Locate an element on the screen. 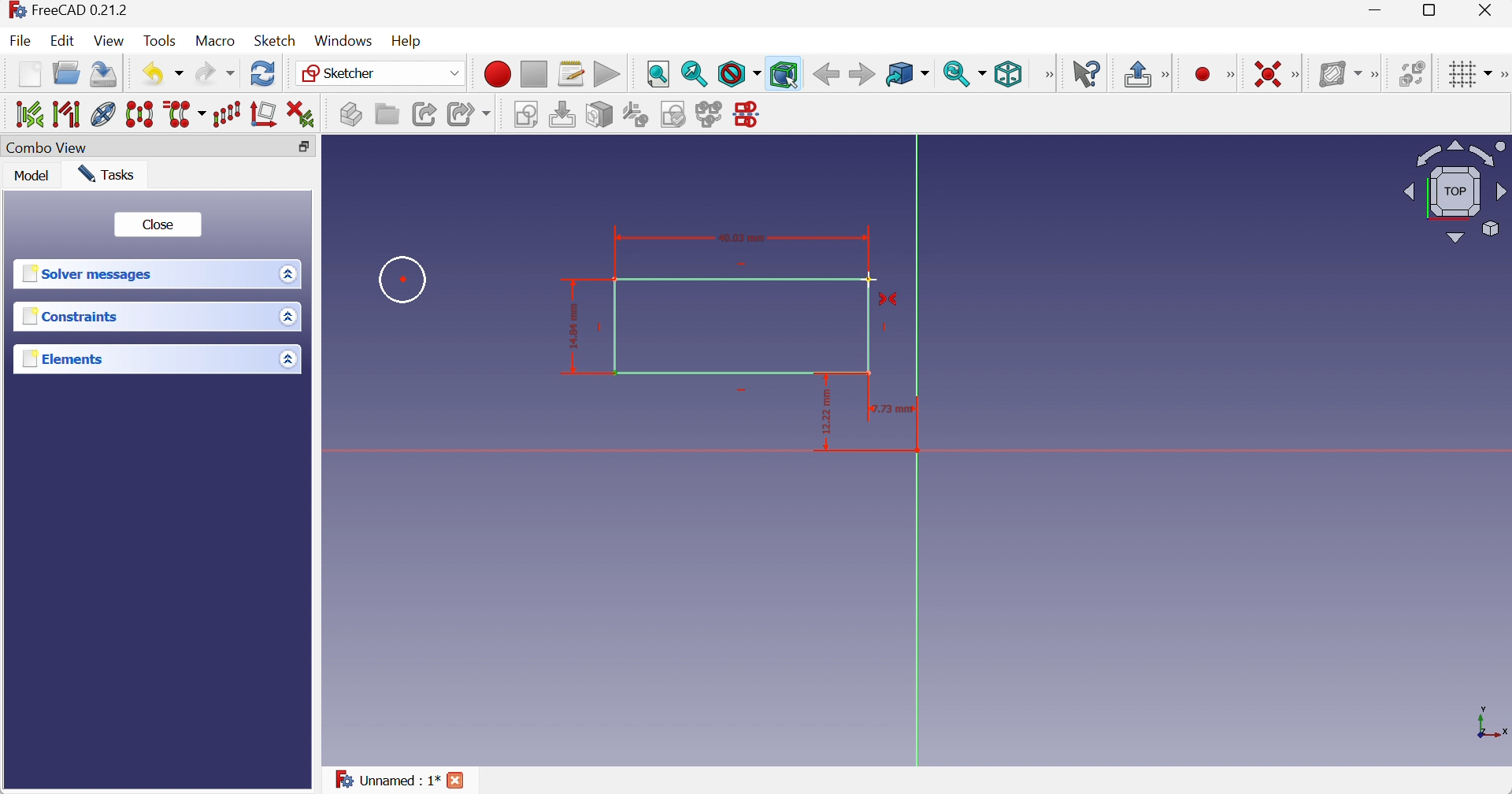 Image resolution: width=1512 pixels, height=794 pixels. Create sketch is located at coordinates (528, 116).